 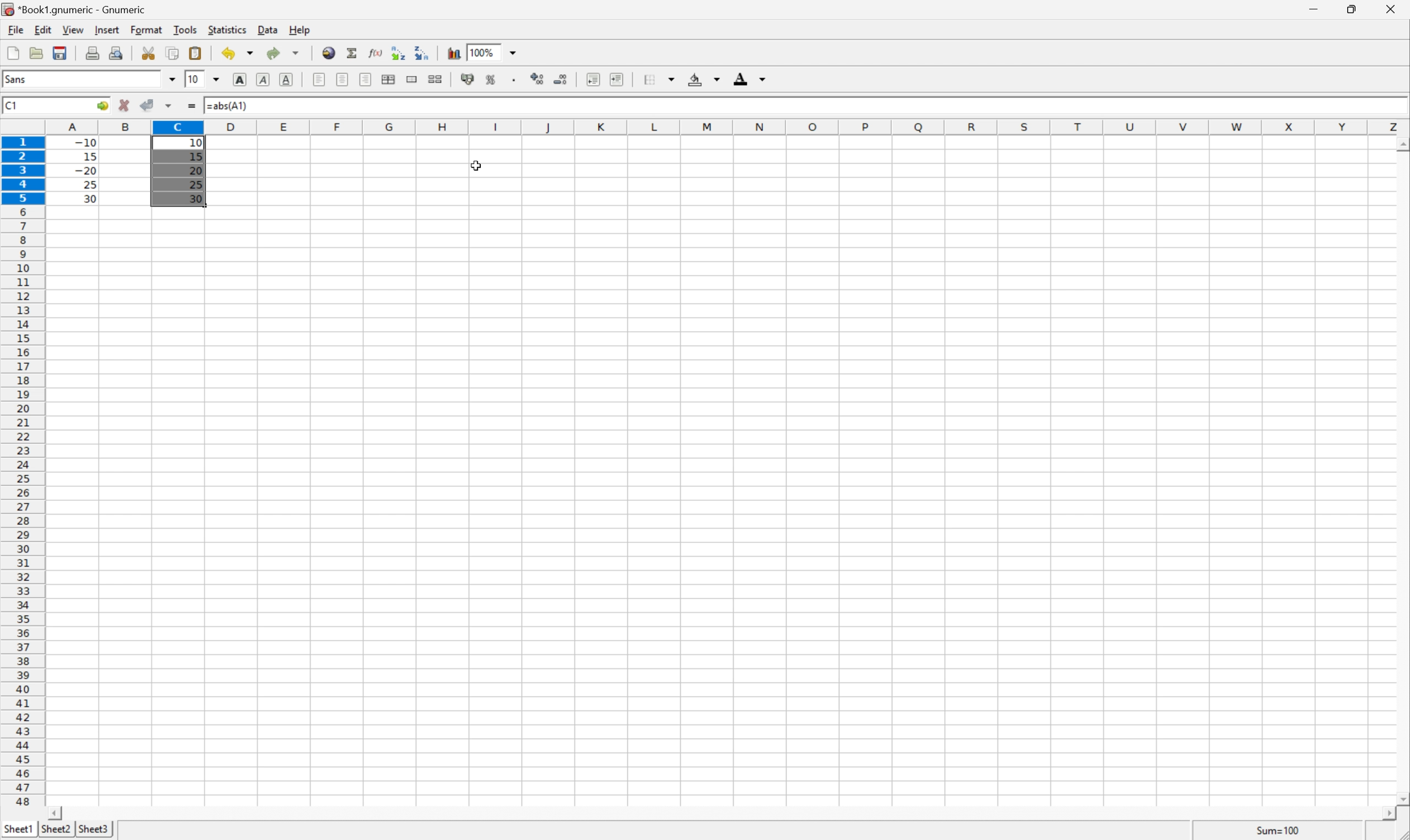 I want to click on Insert hyperlink, so click(x=327, y=52).